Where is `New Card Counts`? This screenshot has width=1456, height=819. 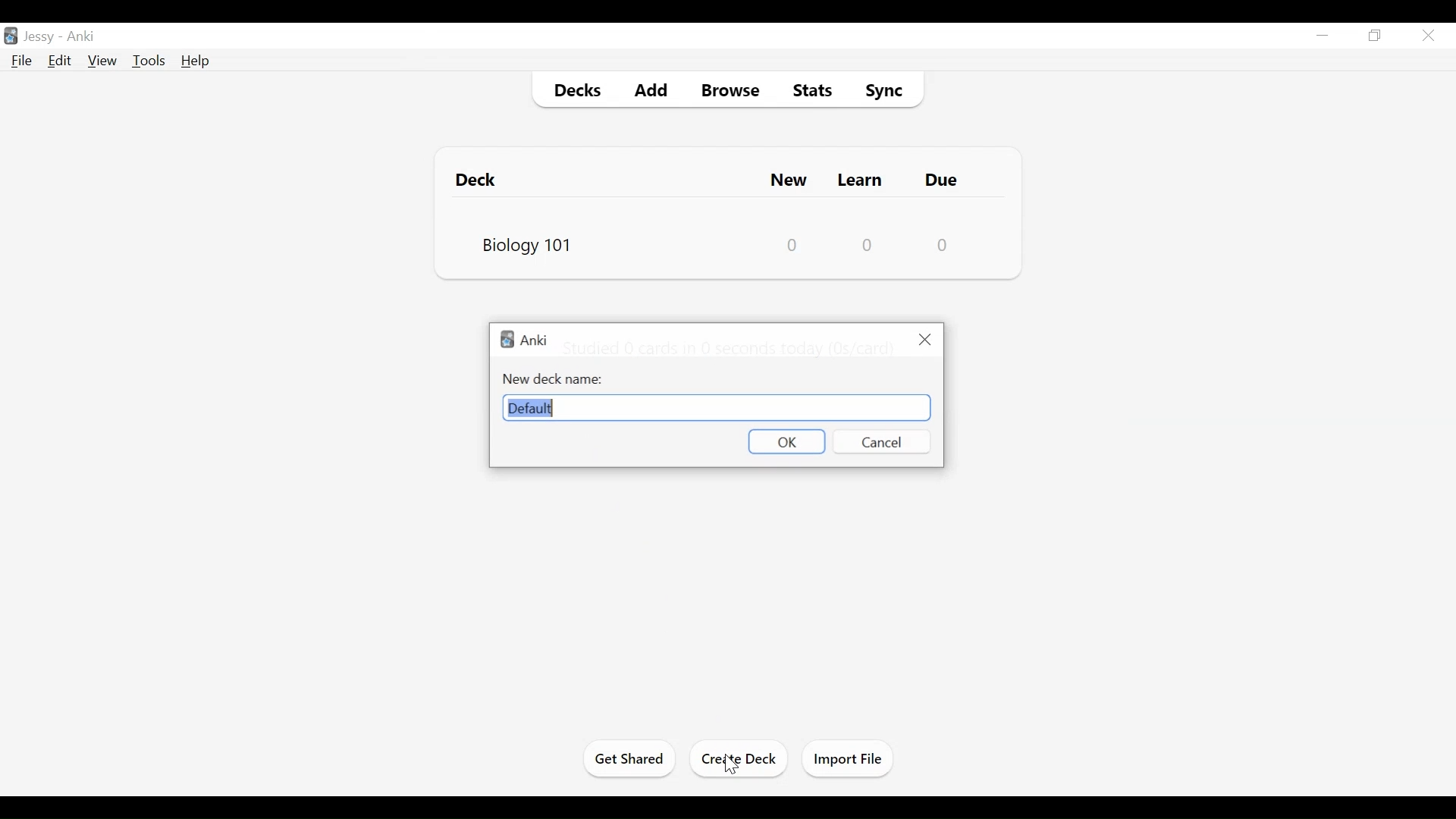 New Card Counts is located at coordinates (795, 243).